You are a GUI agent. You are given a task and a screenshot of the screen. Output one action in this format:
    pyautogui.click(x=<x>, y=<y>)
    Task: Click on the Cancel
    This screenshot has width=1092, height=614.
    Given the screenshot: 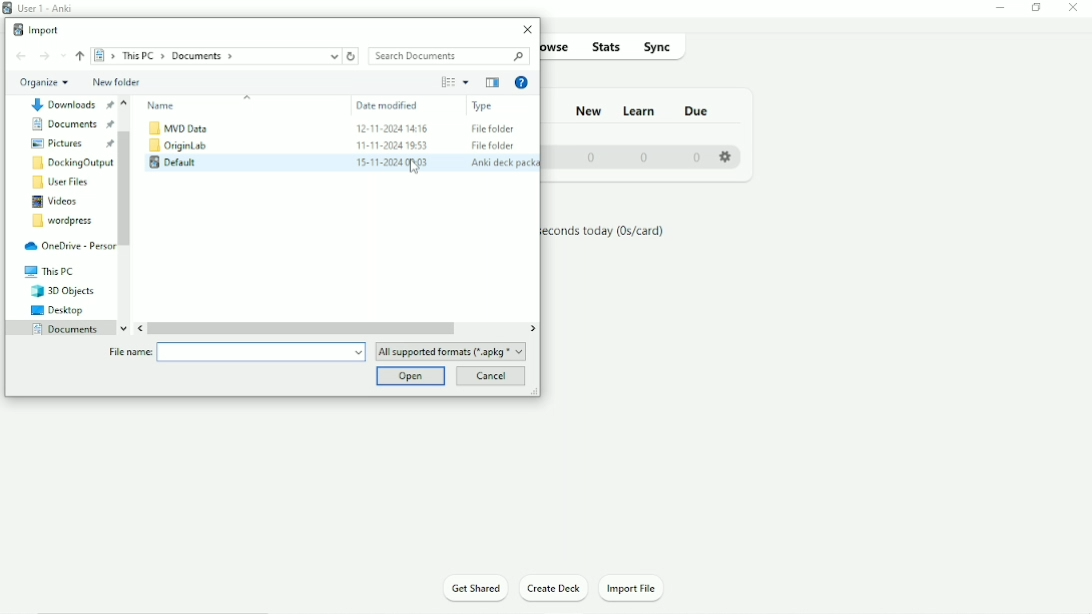 What is the action you would take?
    pyautogui.click(x=491, y=377)
    